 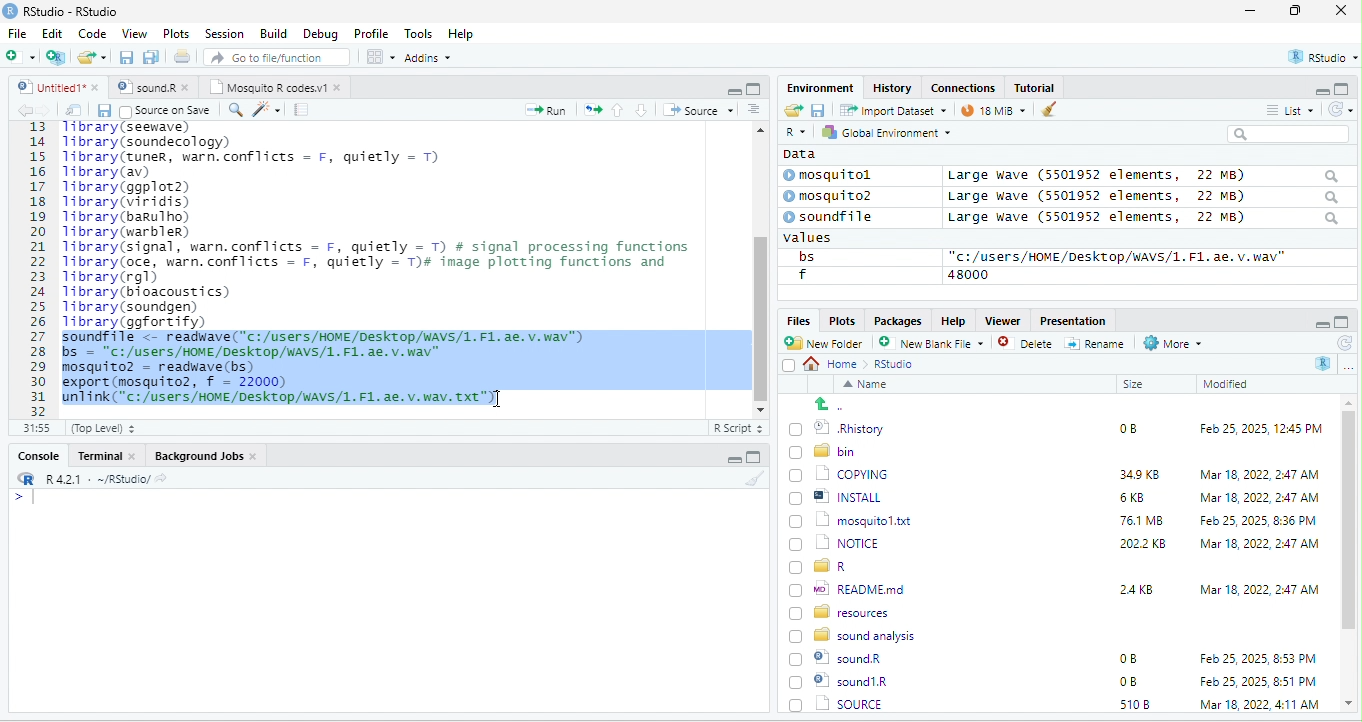 I want to click on Packages, so click(x=901, y=320).